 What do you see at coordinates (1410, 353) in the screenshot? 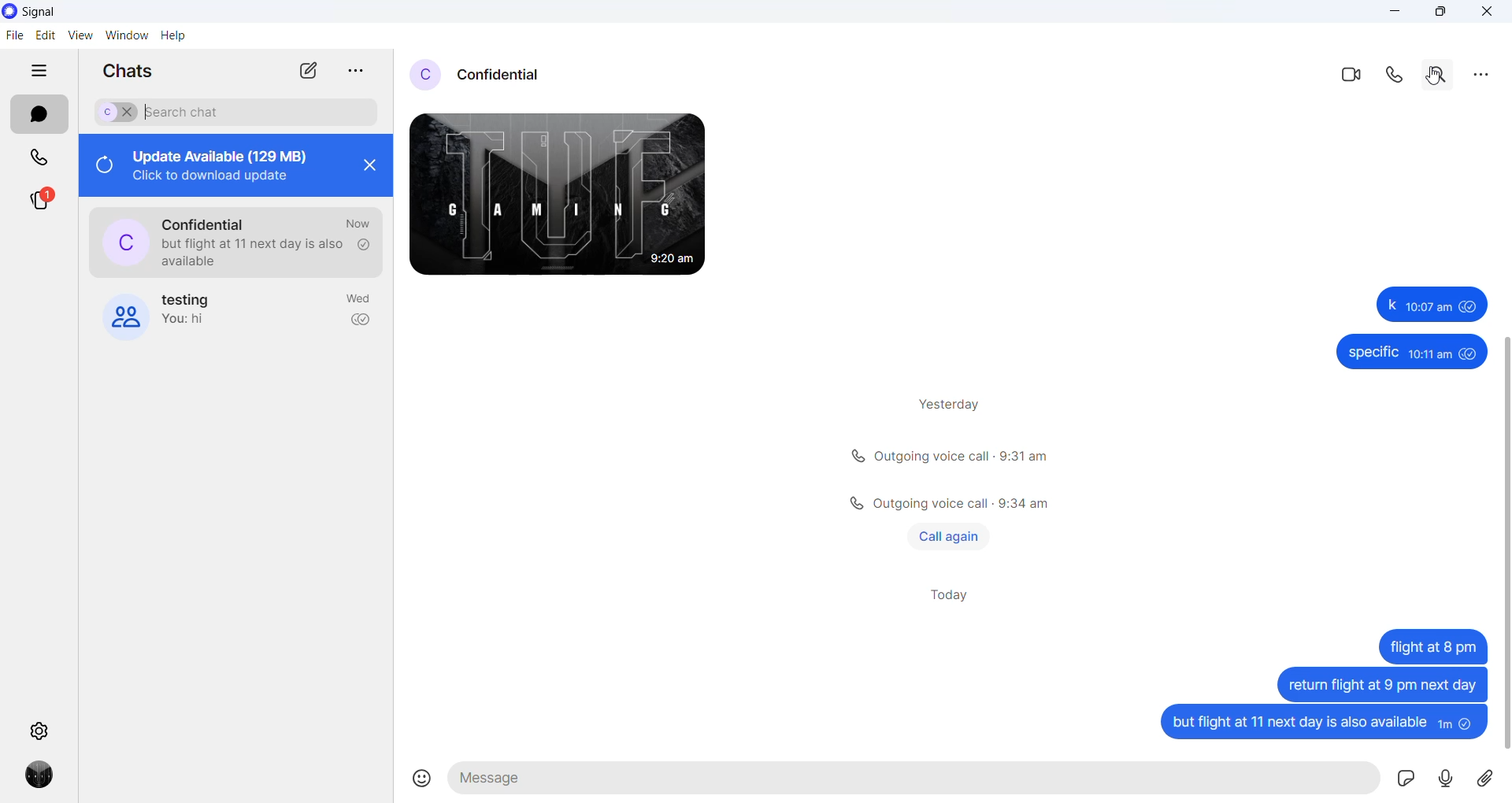
I see `` at bounding box center [1410, 353].